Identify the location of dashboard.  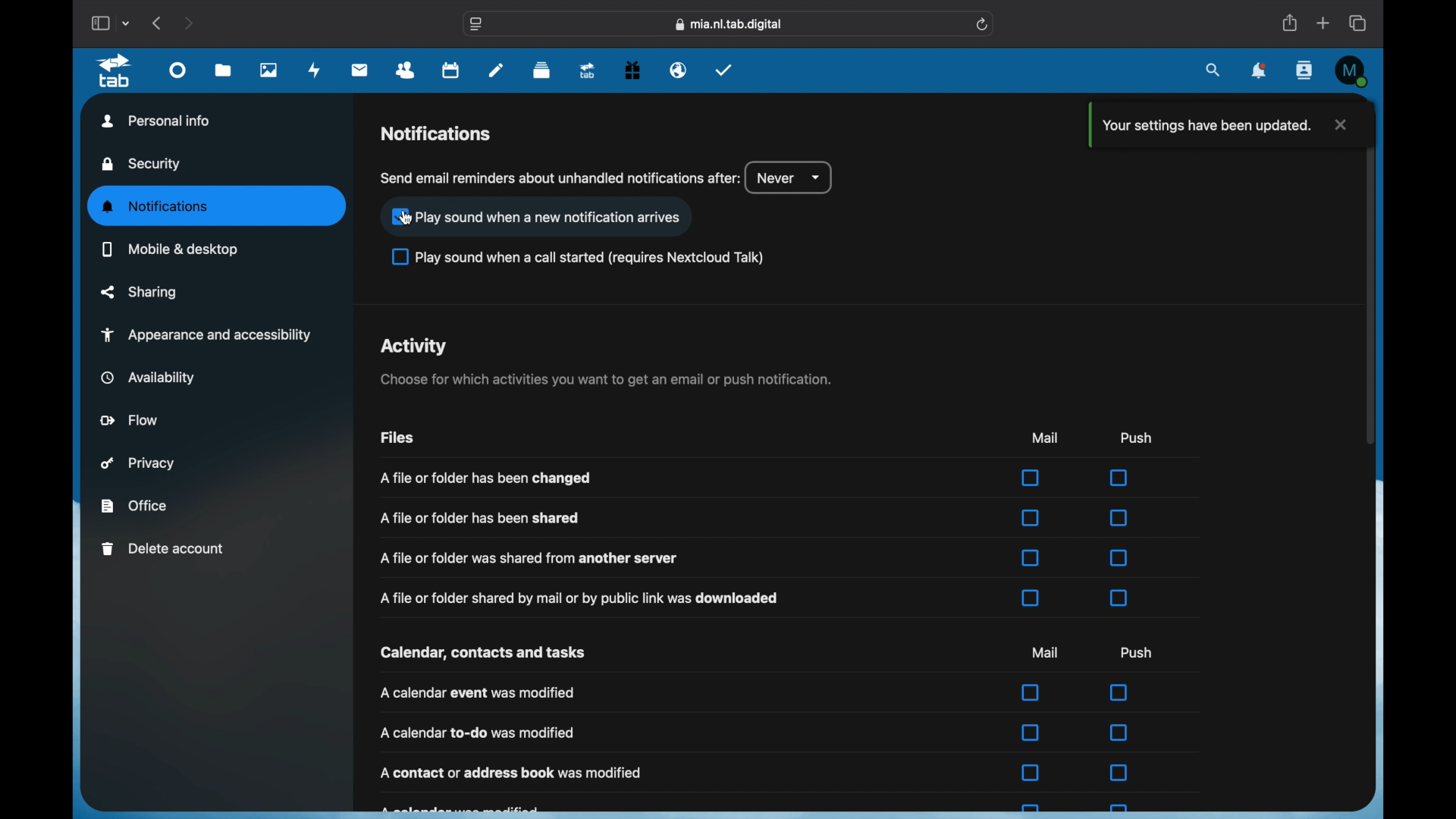
(178, 74).